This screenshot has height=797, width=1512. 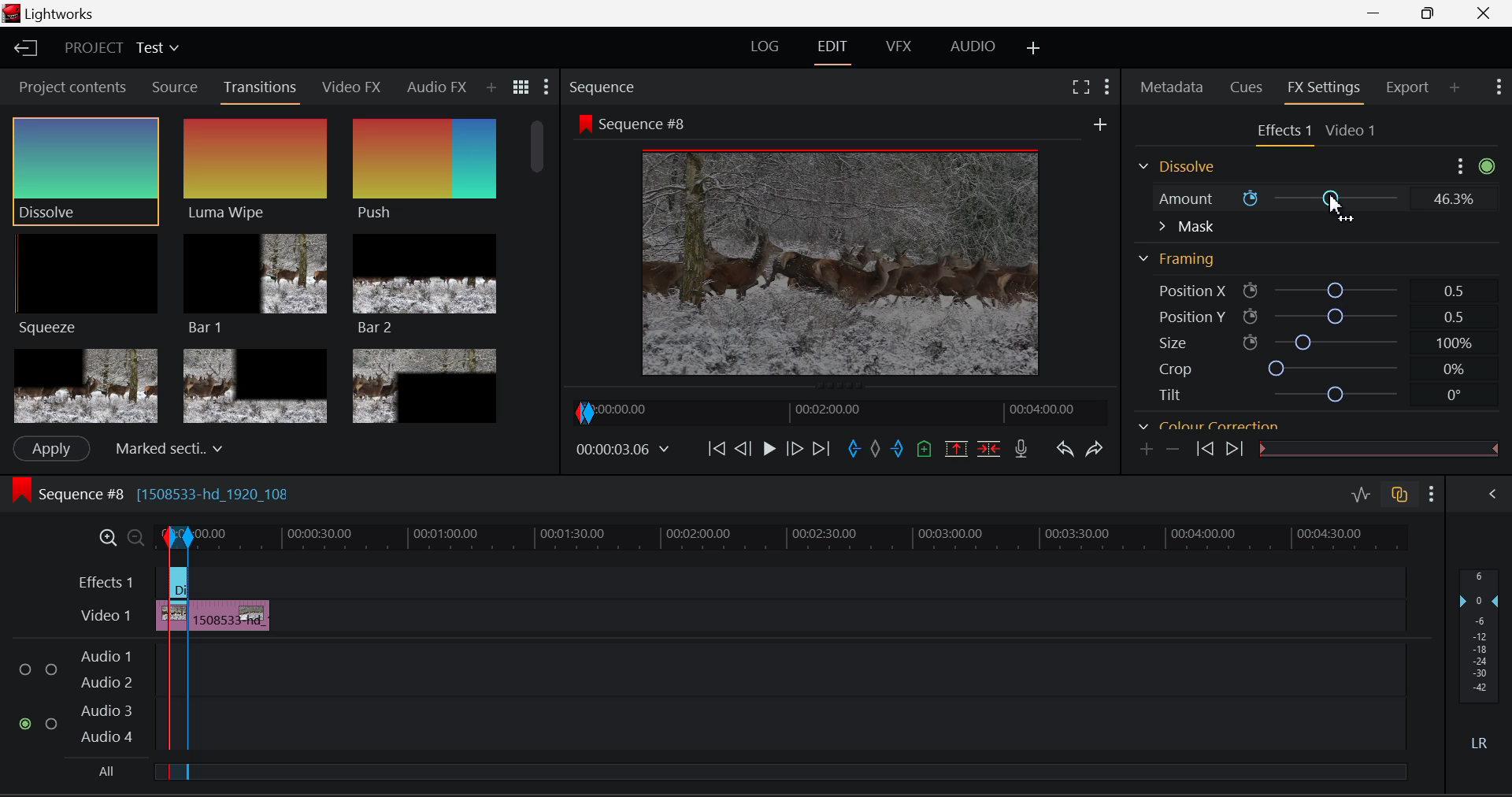 I want to click on Add Panel, so click(x=491, y=88).